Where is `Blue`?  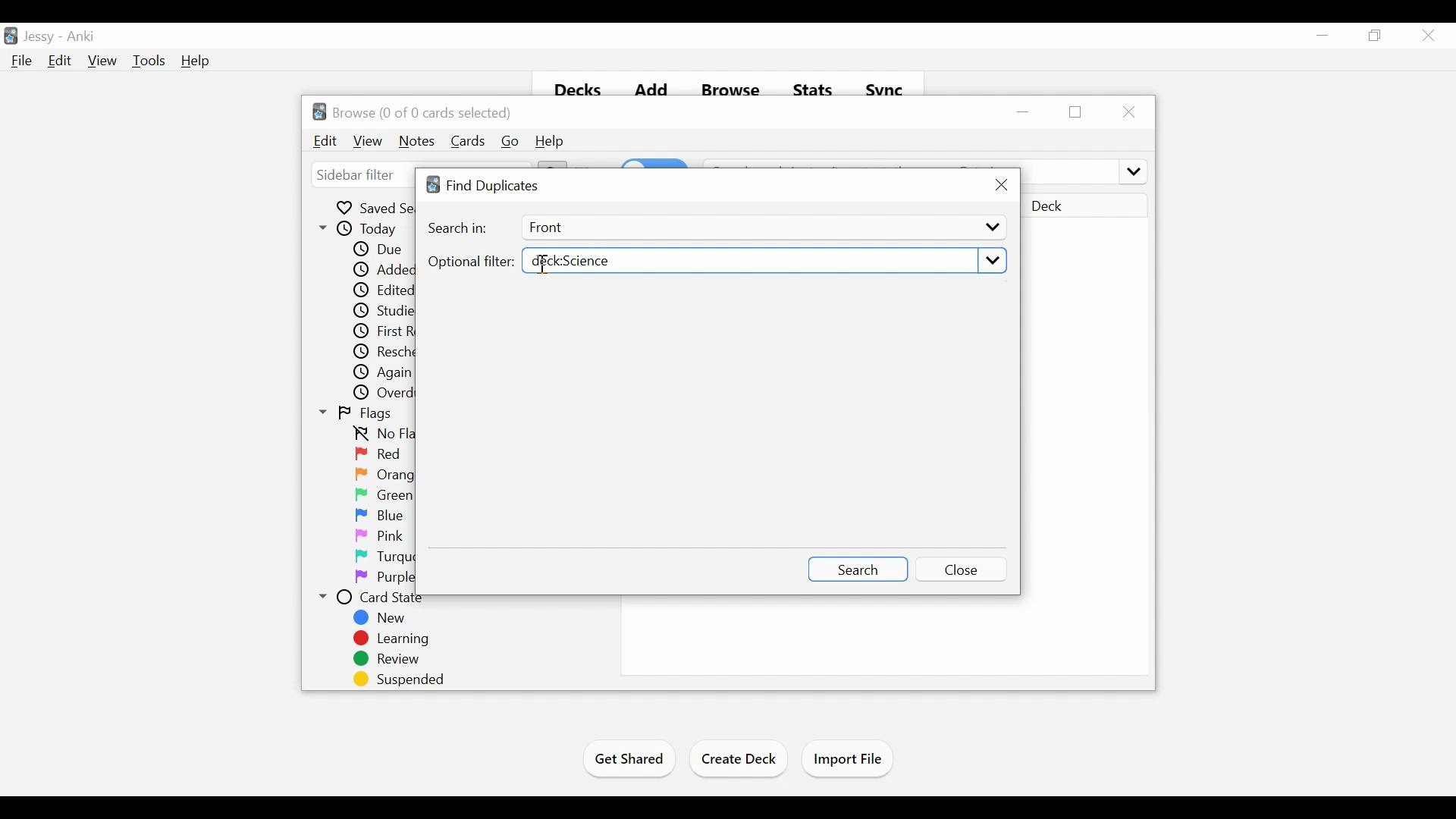
Blue is located at coordinates (380, 516).